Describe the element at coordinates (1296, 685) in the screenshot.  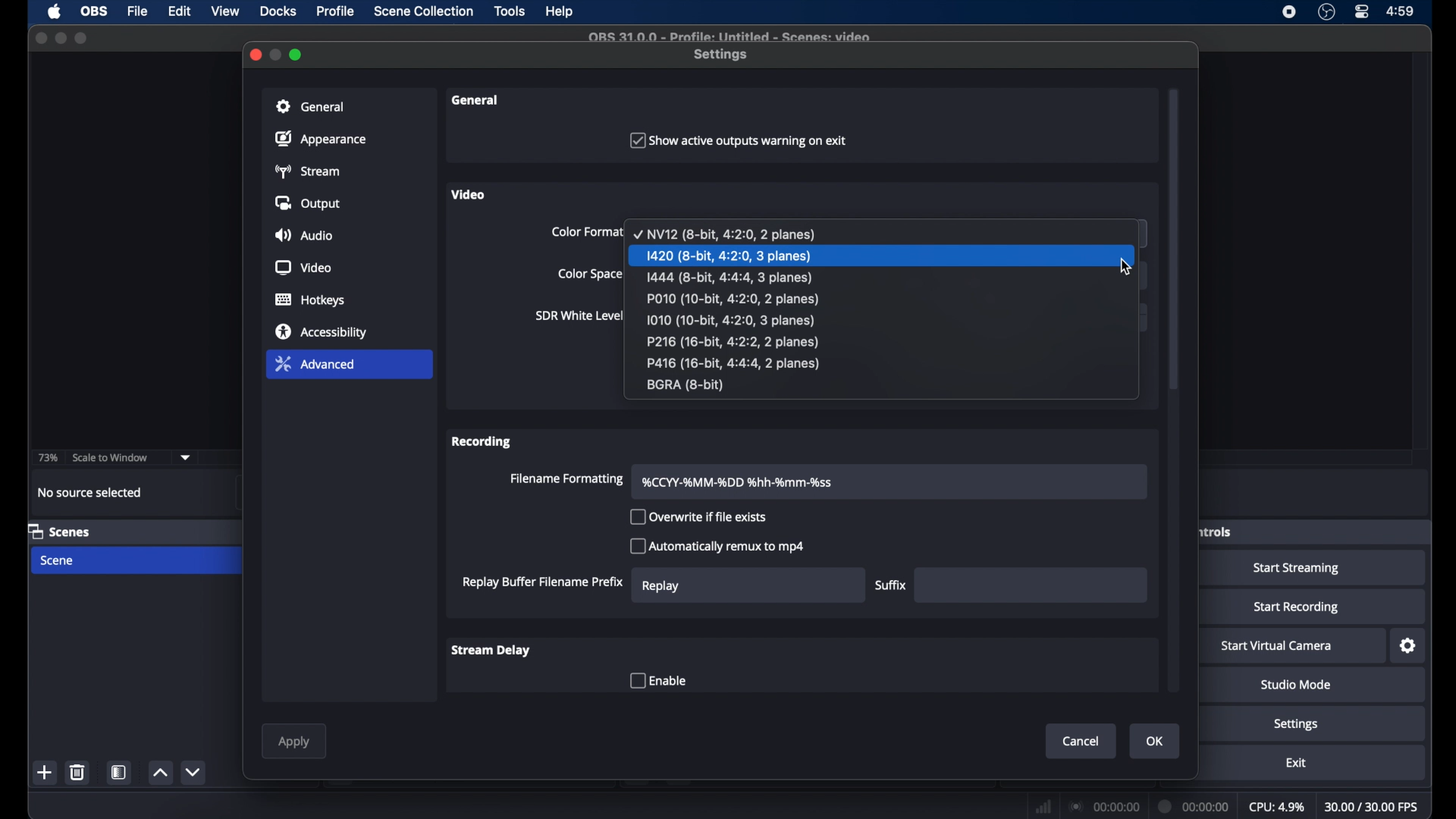
I see `studio mode` at that location.